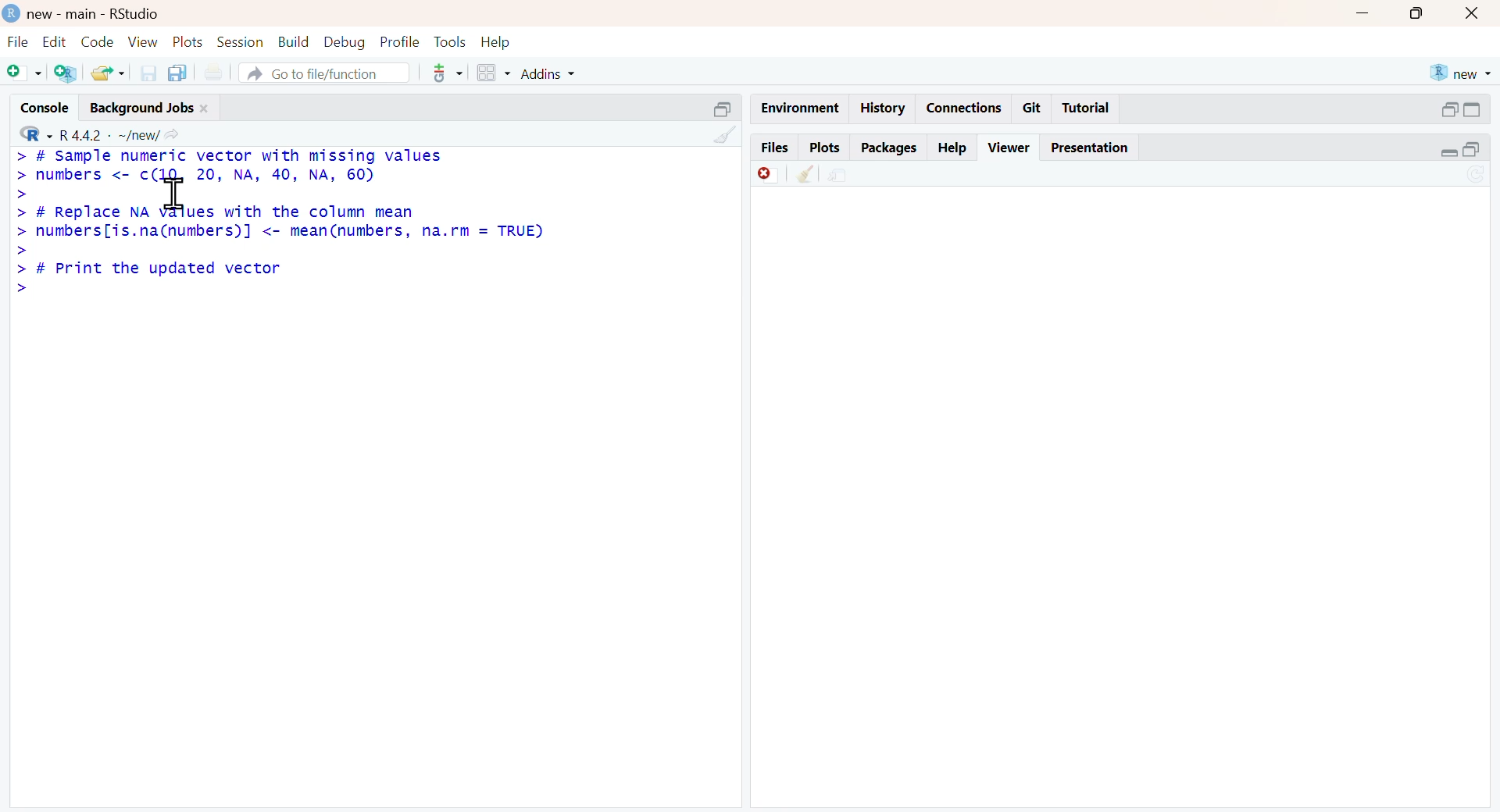 The image size is (1500, 812). Describe the element at coordinates (96, 15) in the screenshot. I see `new - main - RStudio` at that location.